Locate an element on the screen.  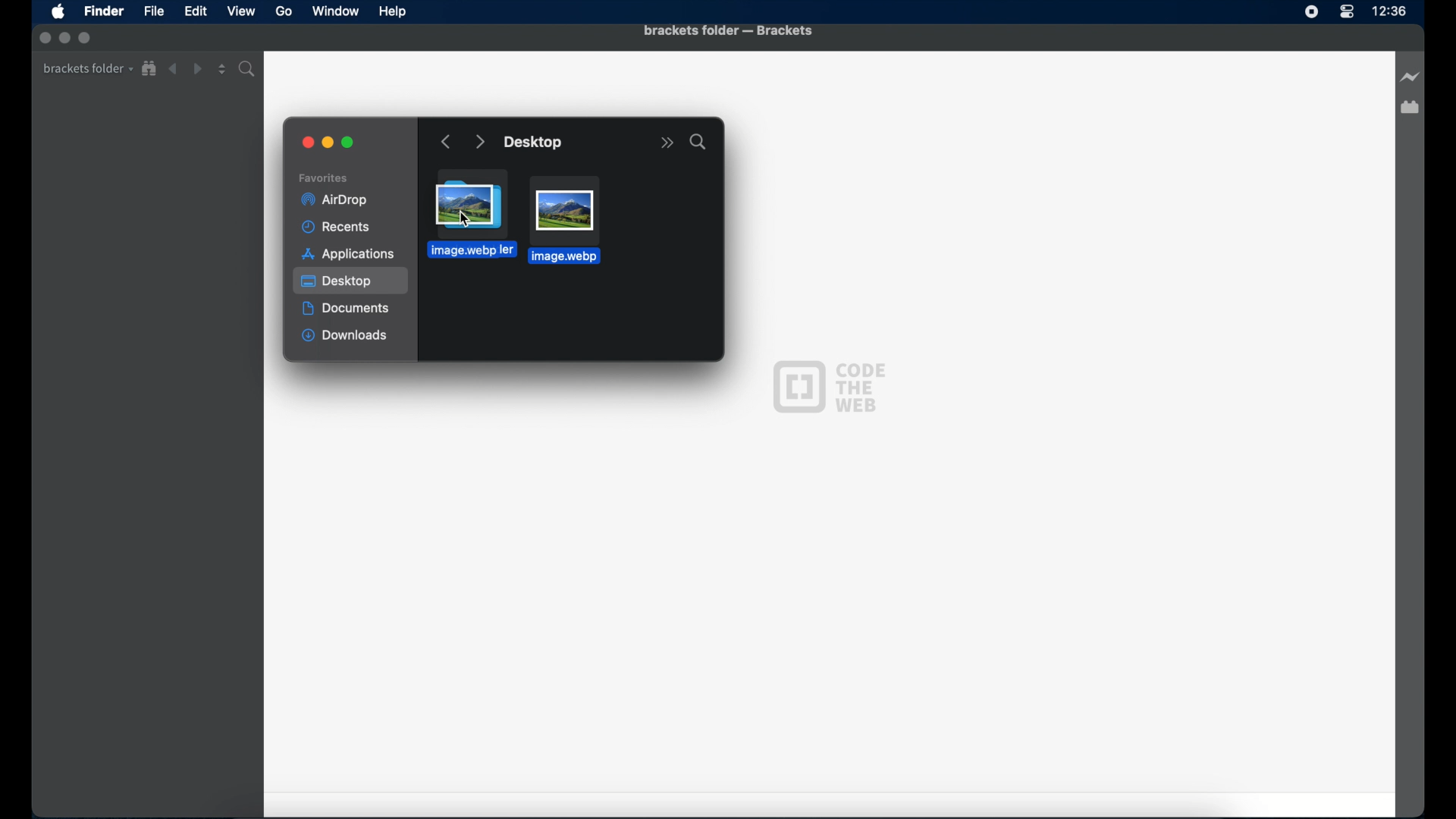
recents is located at coordinates (339, 227).